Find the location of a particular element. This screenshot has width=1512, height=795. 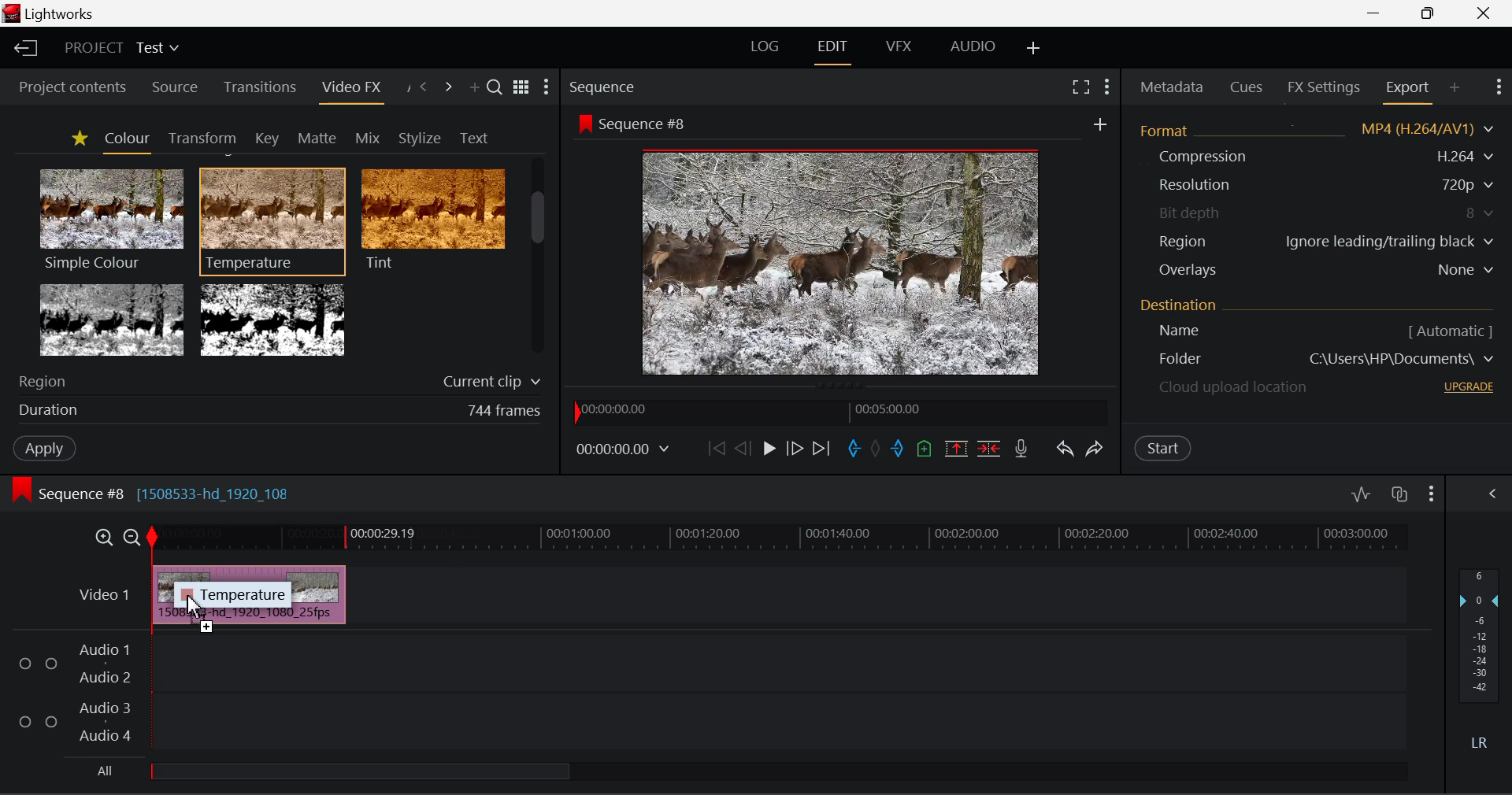

Tint is located at coordinates (432, 219).